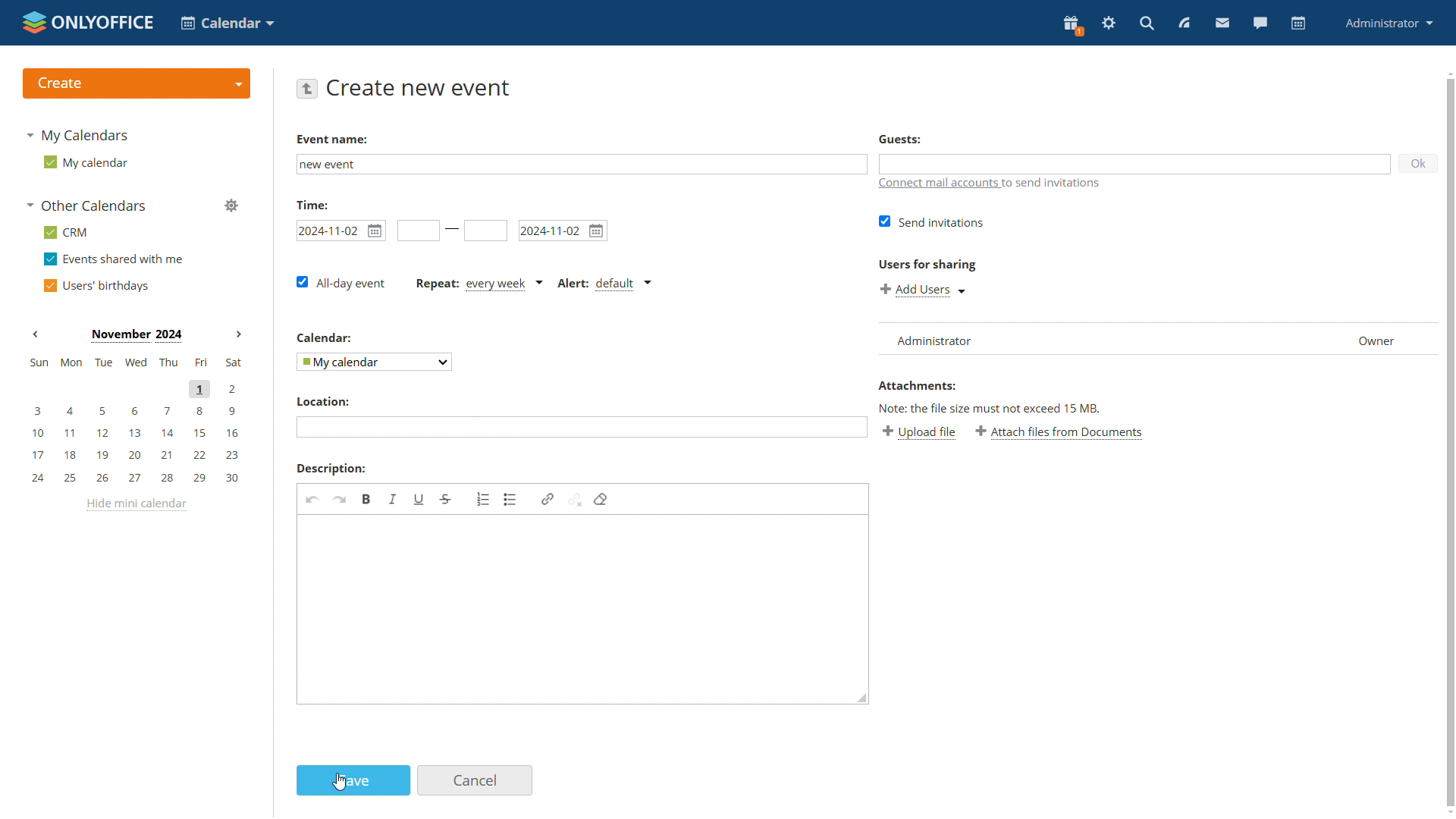  I want to click on scrollbar, so click(1451, 443).